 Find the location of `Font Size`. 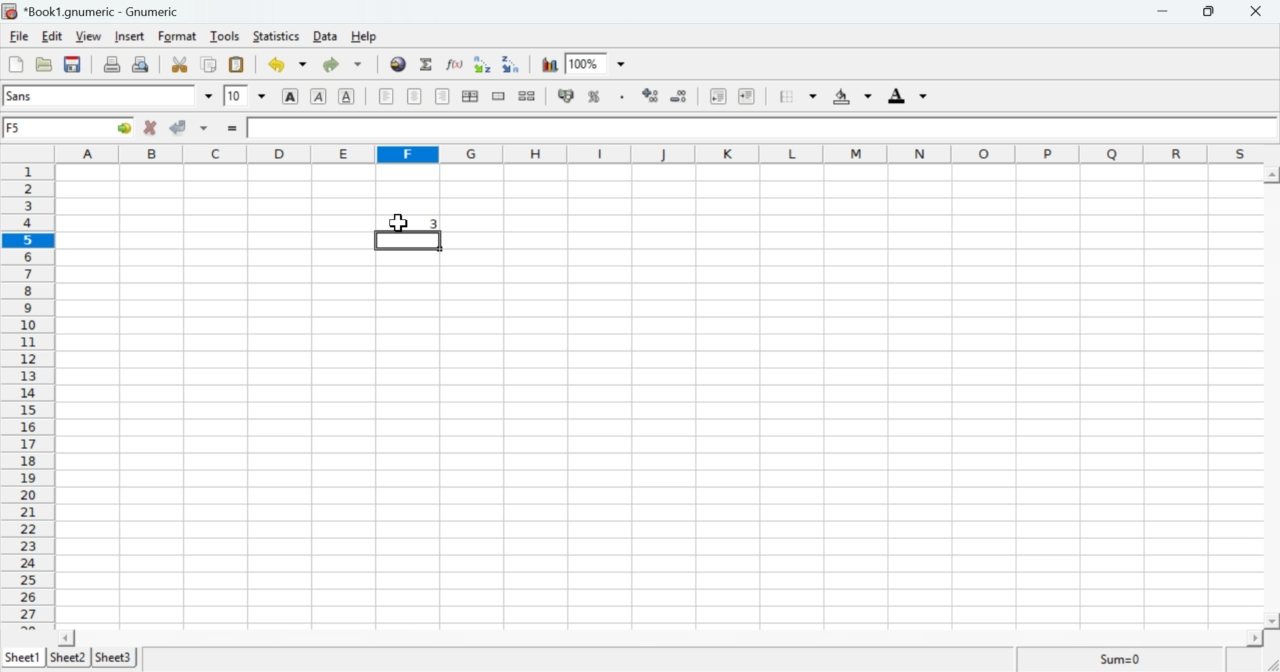

Font Size is located at coordinates (234, 96).